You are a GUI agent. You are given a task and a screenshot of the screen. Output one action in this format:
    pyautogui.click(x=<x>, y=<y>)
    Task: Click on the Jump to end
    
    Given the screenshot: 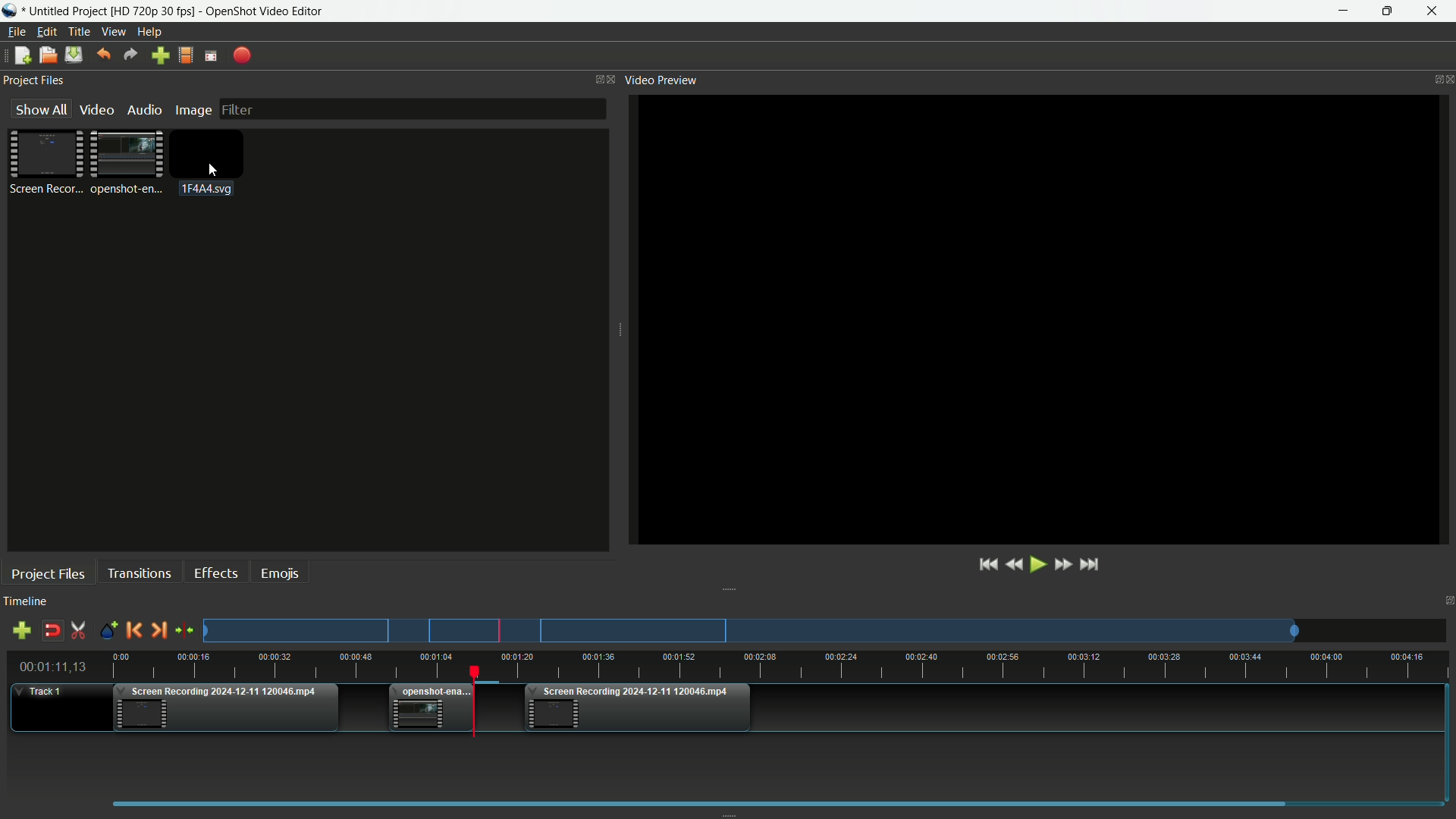 What is the action you would take?
    pyautogui.click(x=1090, y=564)
    